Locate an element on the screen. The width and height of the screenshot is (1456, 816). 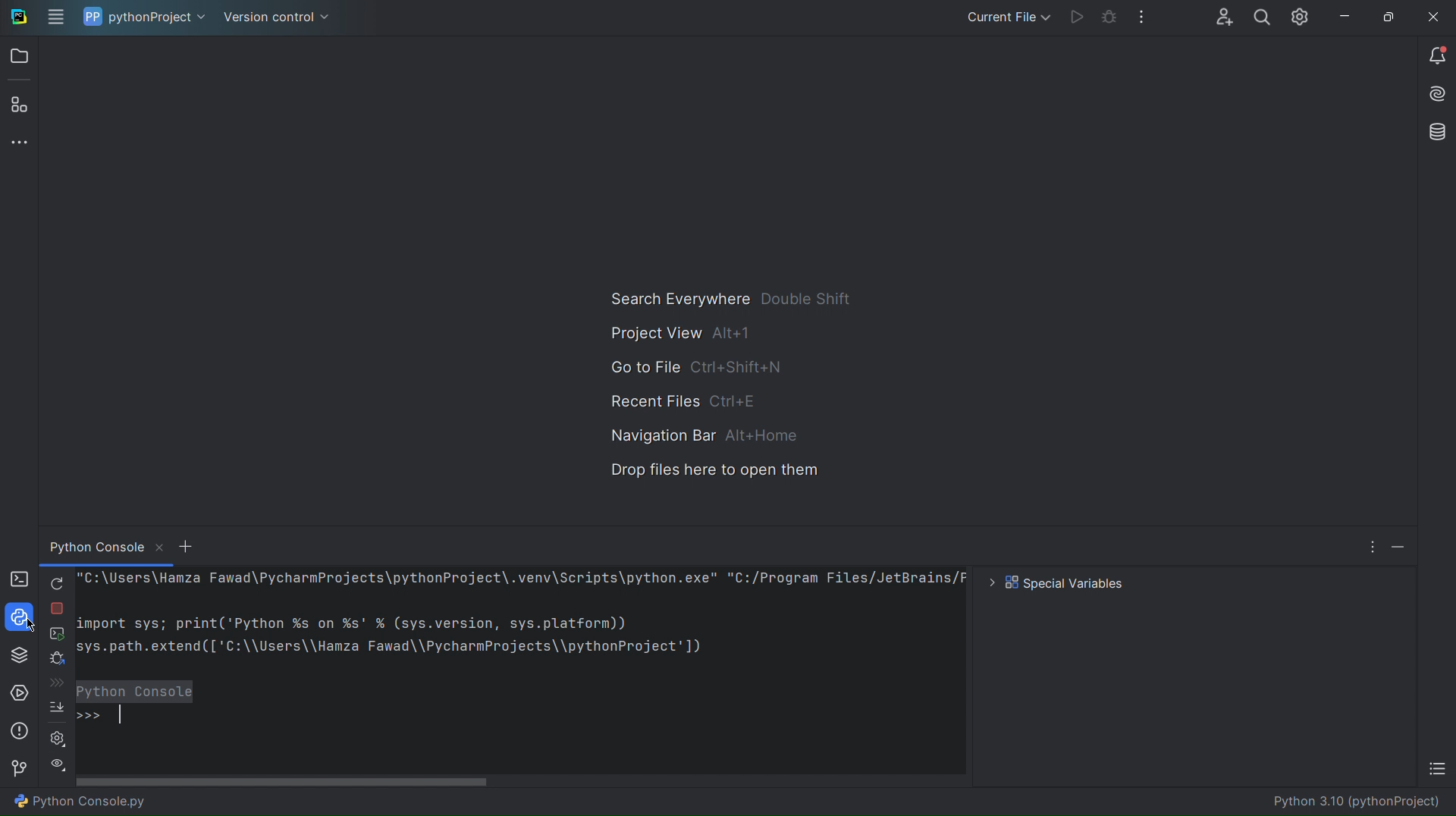
Execute Current Statement is located at coordinates (55, 636).